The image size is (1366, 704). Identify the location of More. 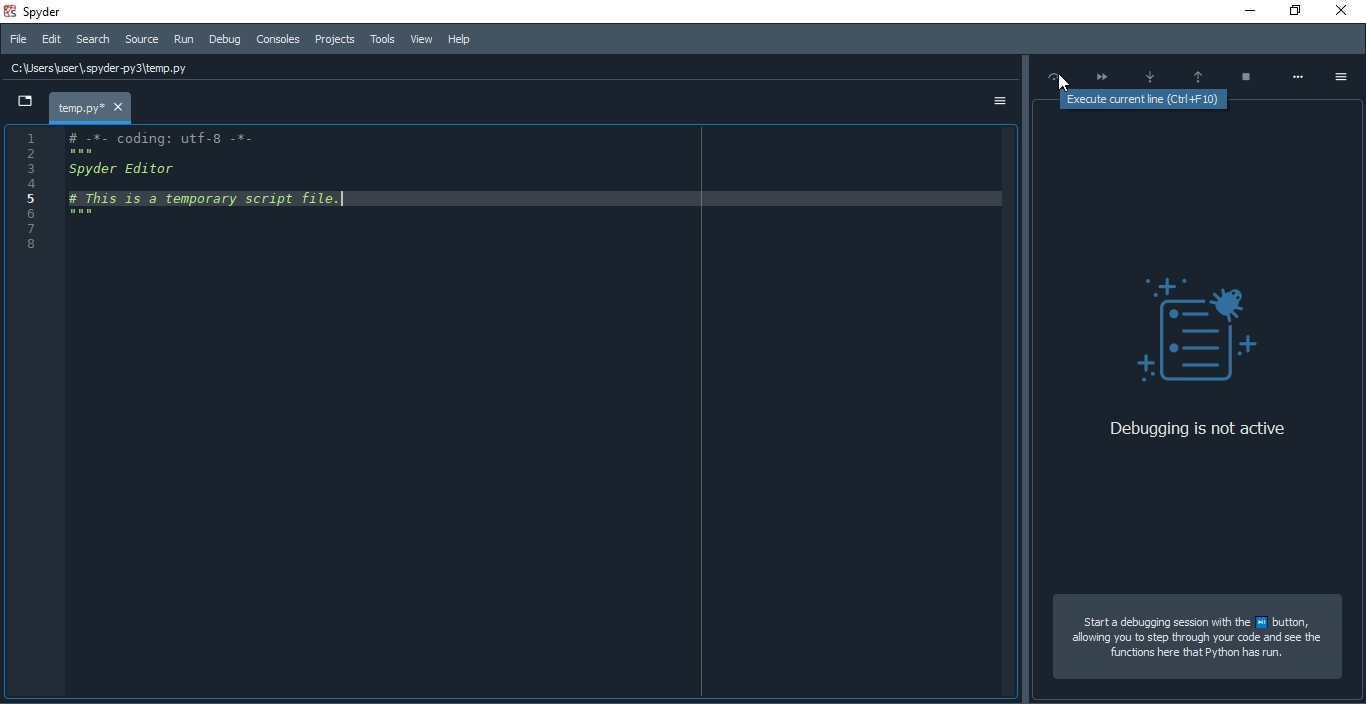
(1296, 77).